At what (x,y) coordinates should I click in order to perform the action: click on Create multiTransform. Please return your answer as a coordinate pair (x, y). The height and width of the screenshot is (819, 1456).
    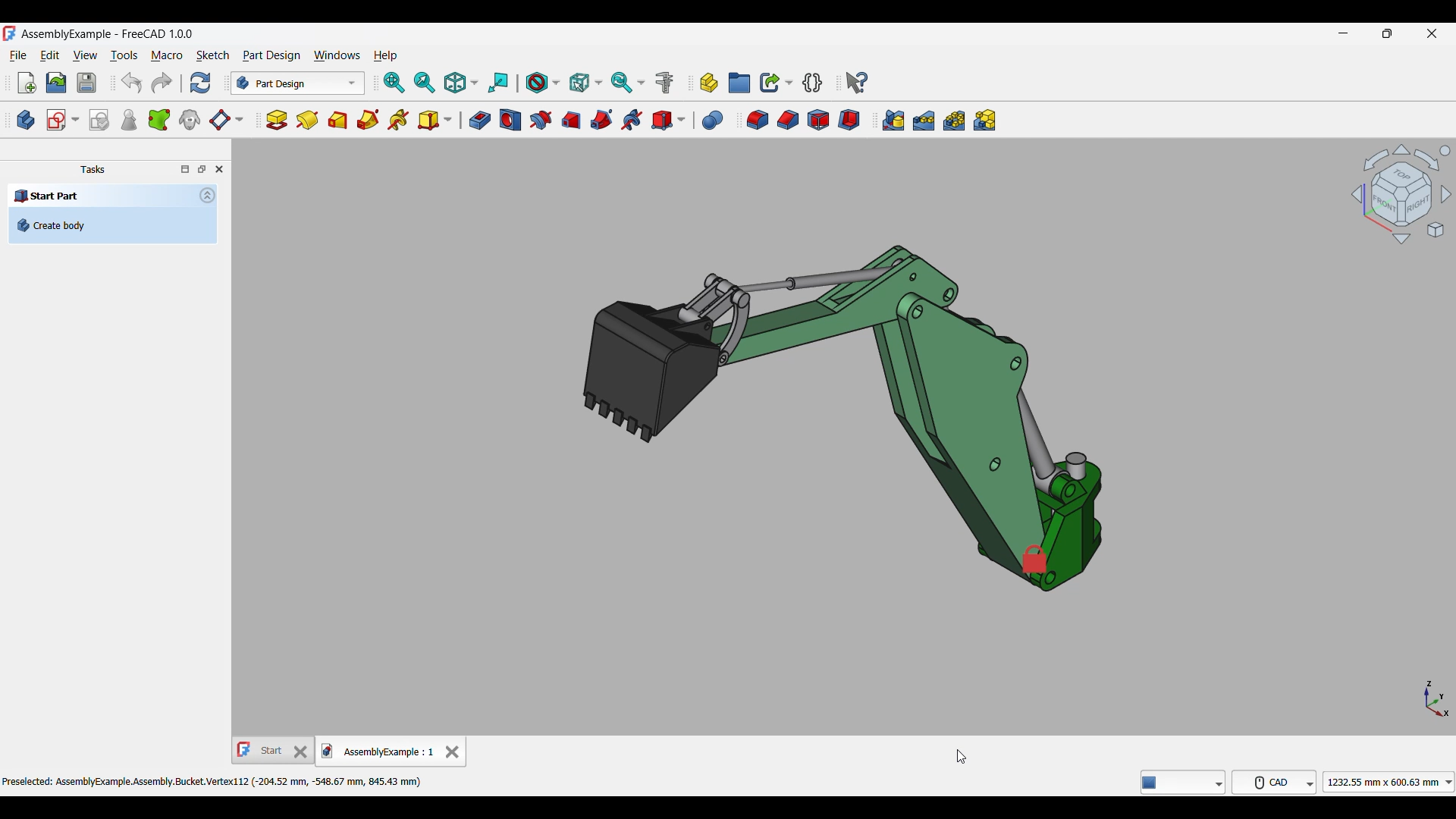
    Looking at the image, I should click on (985, 120).